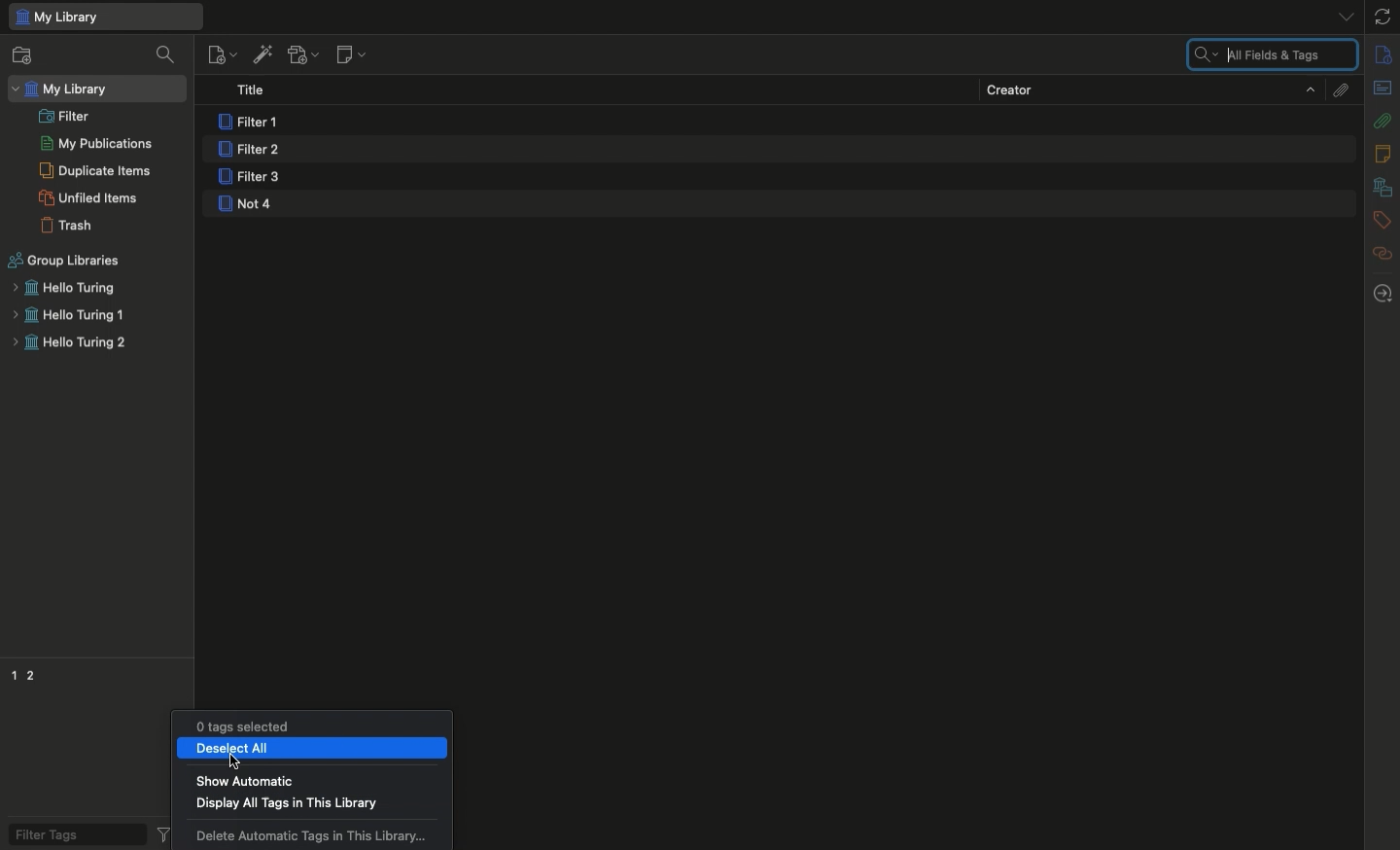  I want to click on Tag 2, so click(31, 673).